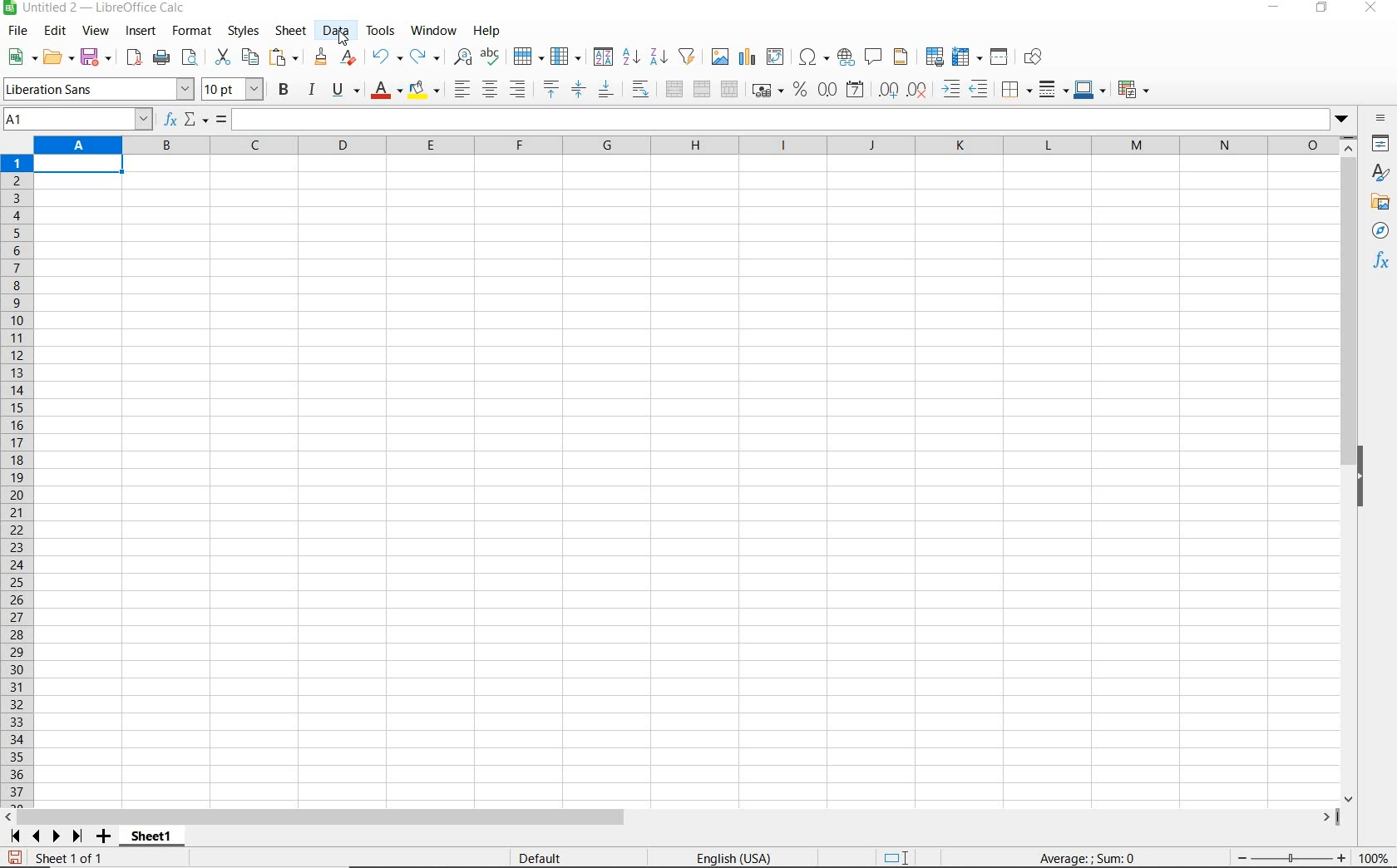 Image resolution: width=1397 pixels, height=868 pixels. I want to click on font size, so click(233, 89).